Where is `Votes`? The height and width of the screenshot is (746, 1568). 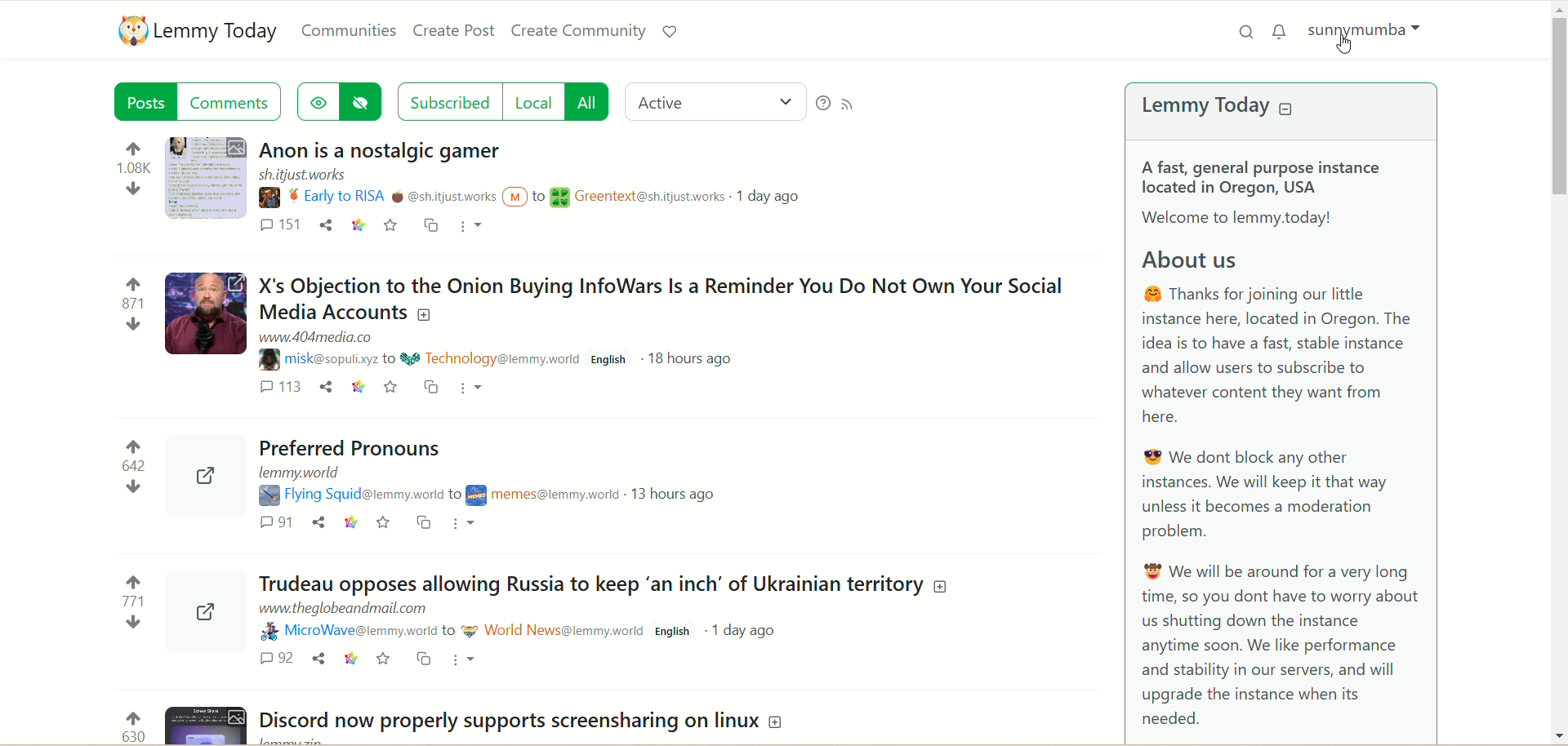 Votes is located at coordinates (131, 715).